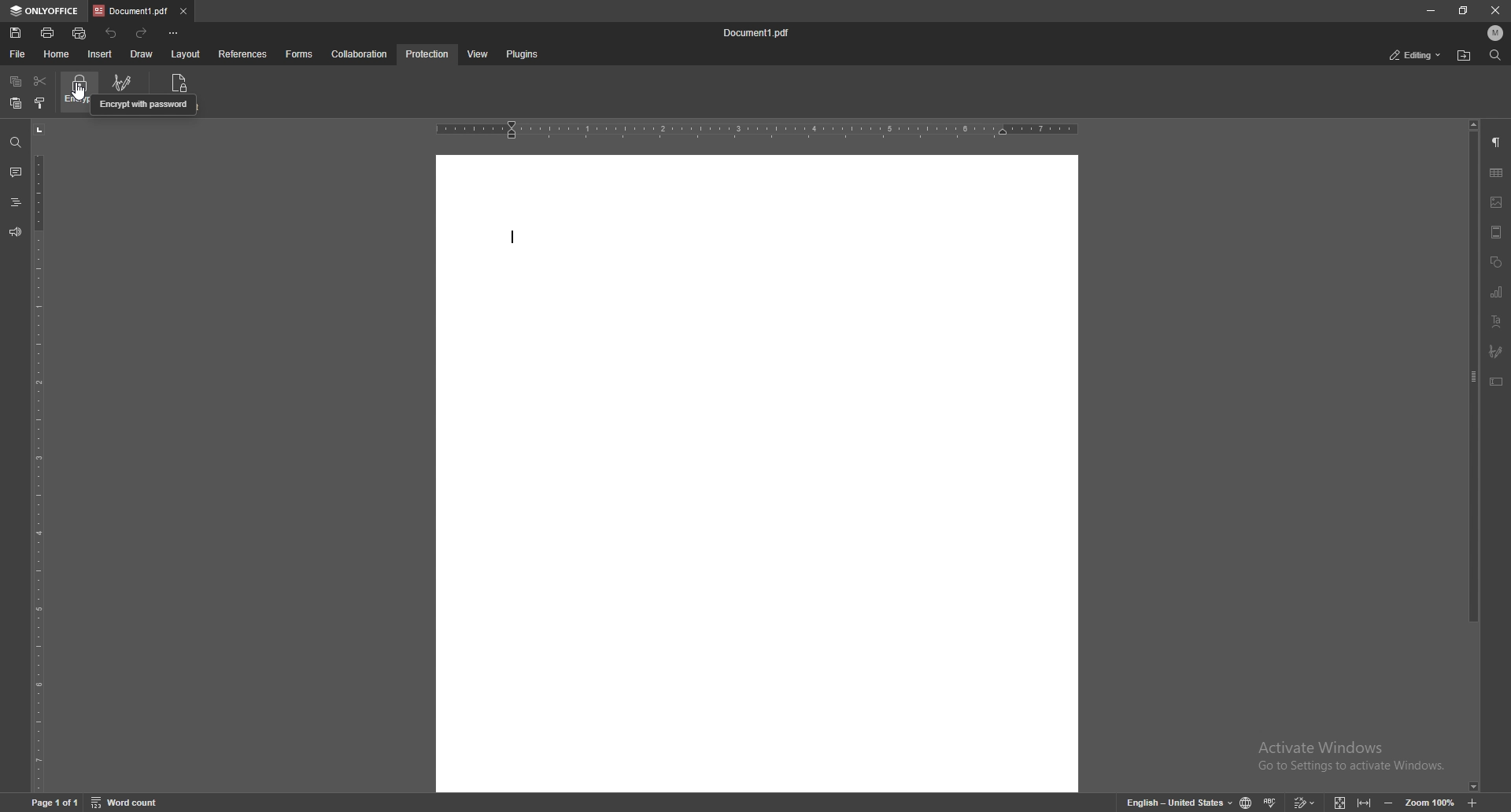  Describe the element at coordinates (143, 105) in the screenshot. I see `cursor description` at that location.